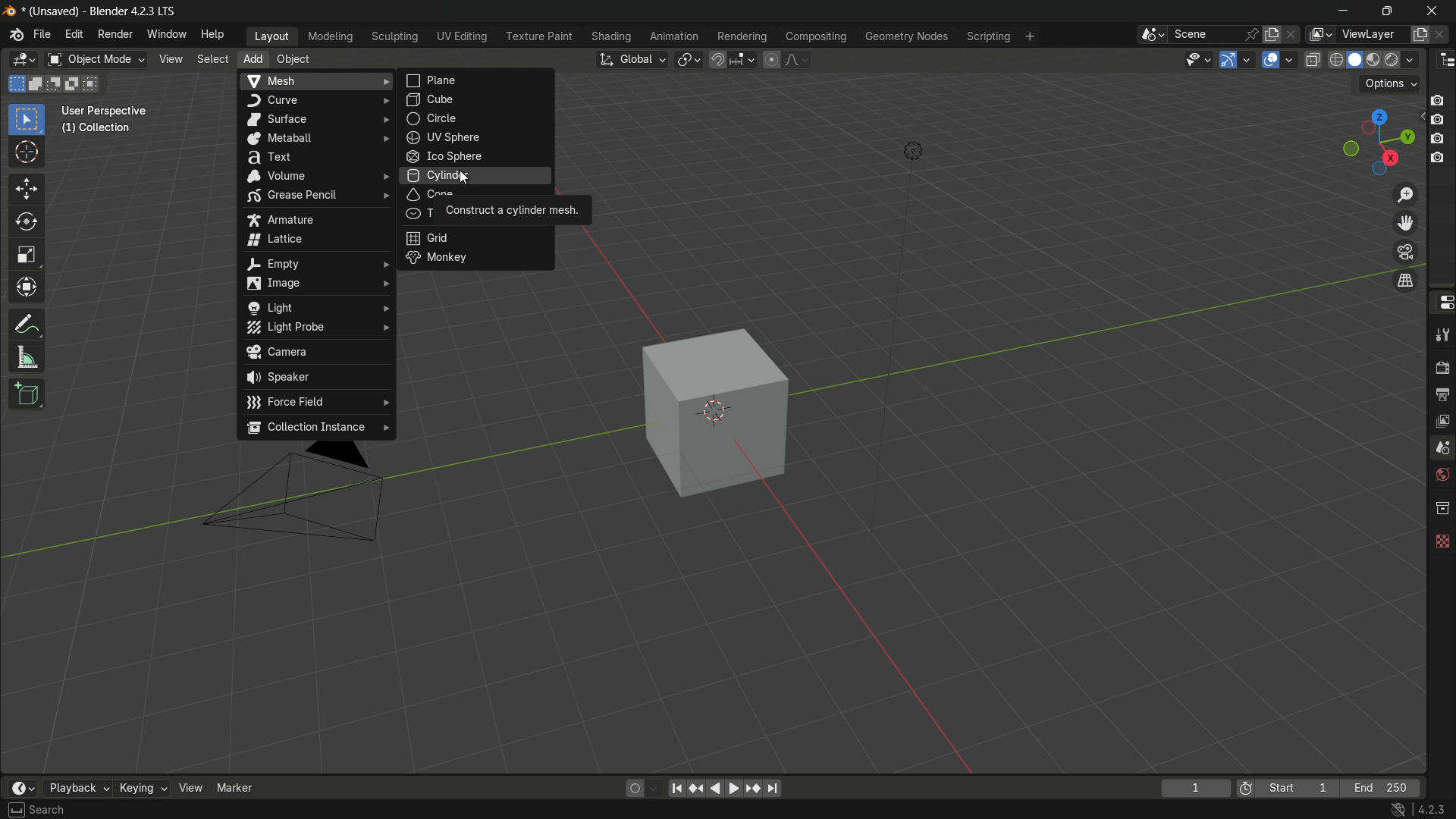 This screenshot has height=819, width=1456. What do you see at coordinates (121, 124) in the screenshot?
I see `user perspective (1) | collection` at bounding box center [121, 124].